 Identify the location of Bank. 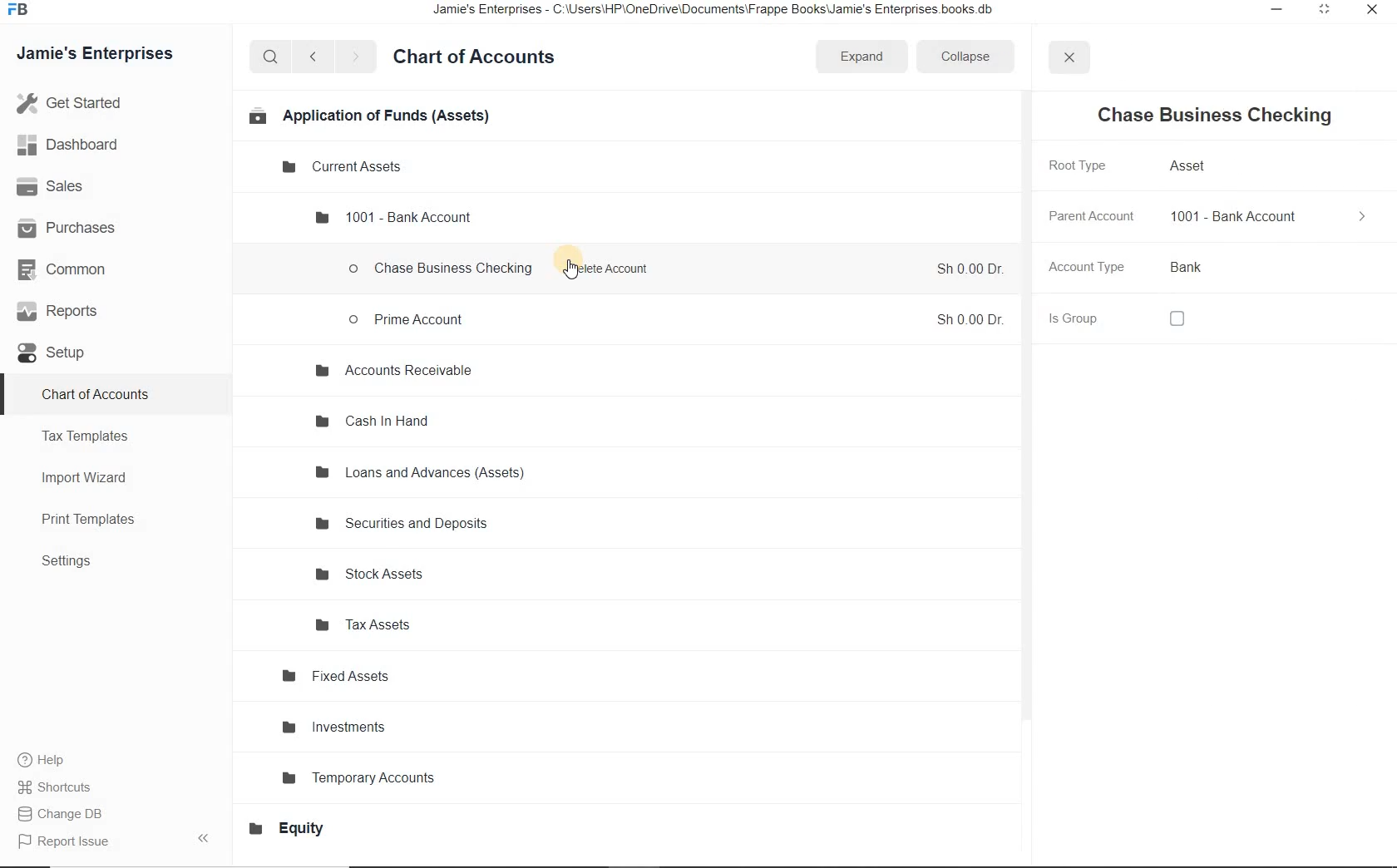
(1189, 266).